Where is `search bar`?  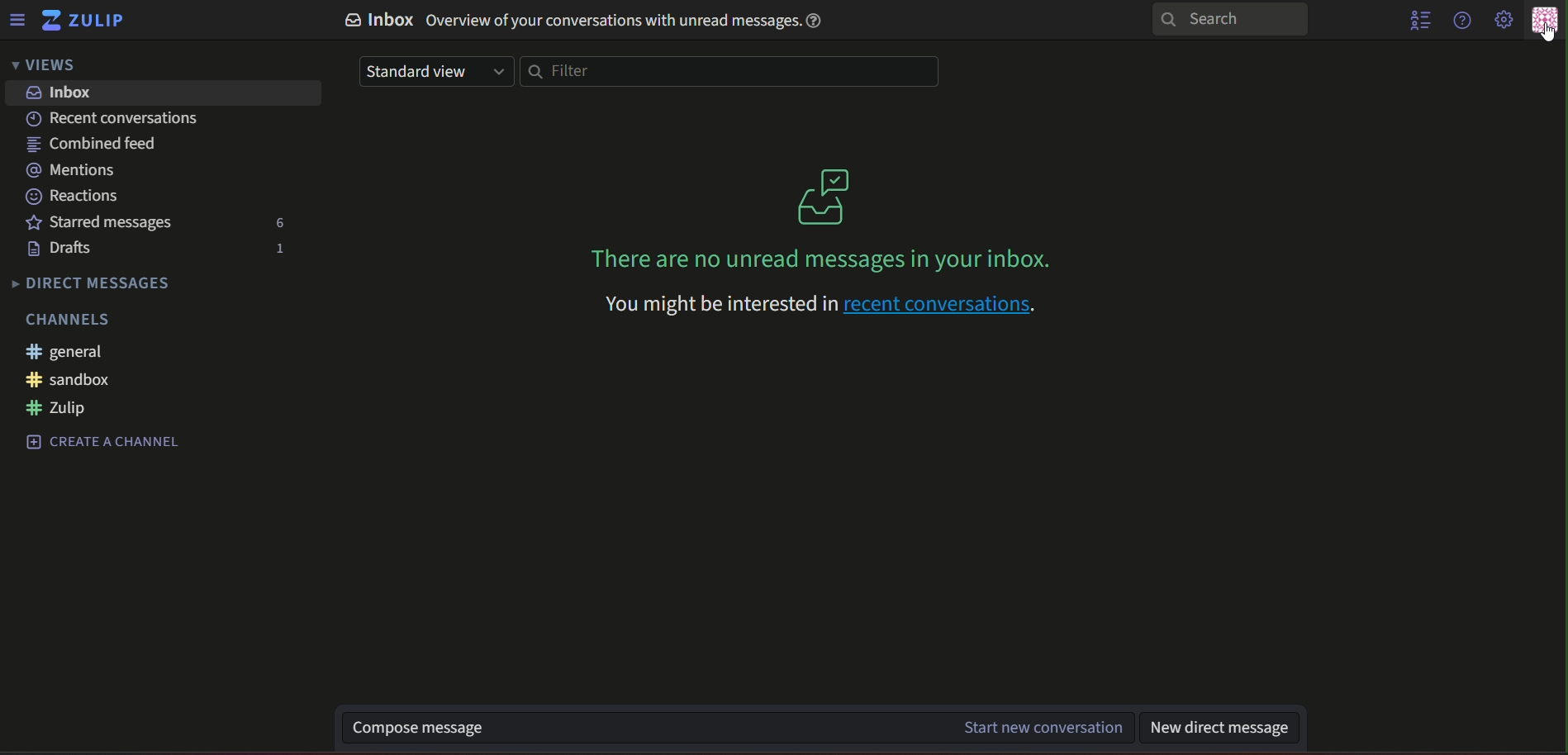 search bar is located at coordinates (1230, 20).